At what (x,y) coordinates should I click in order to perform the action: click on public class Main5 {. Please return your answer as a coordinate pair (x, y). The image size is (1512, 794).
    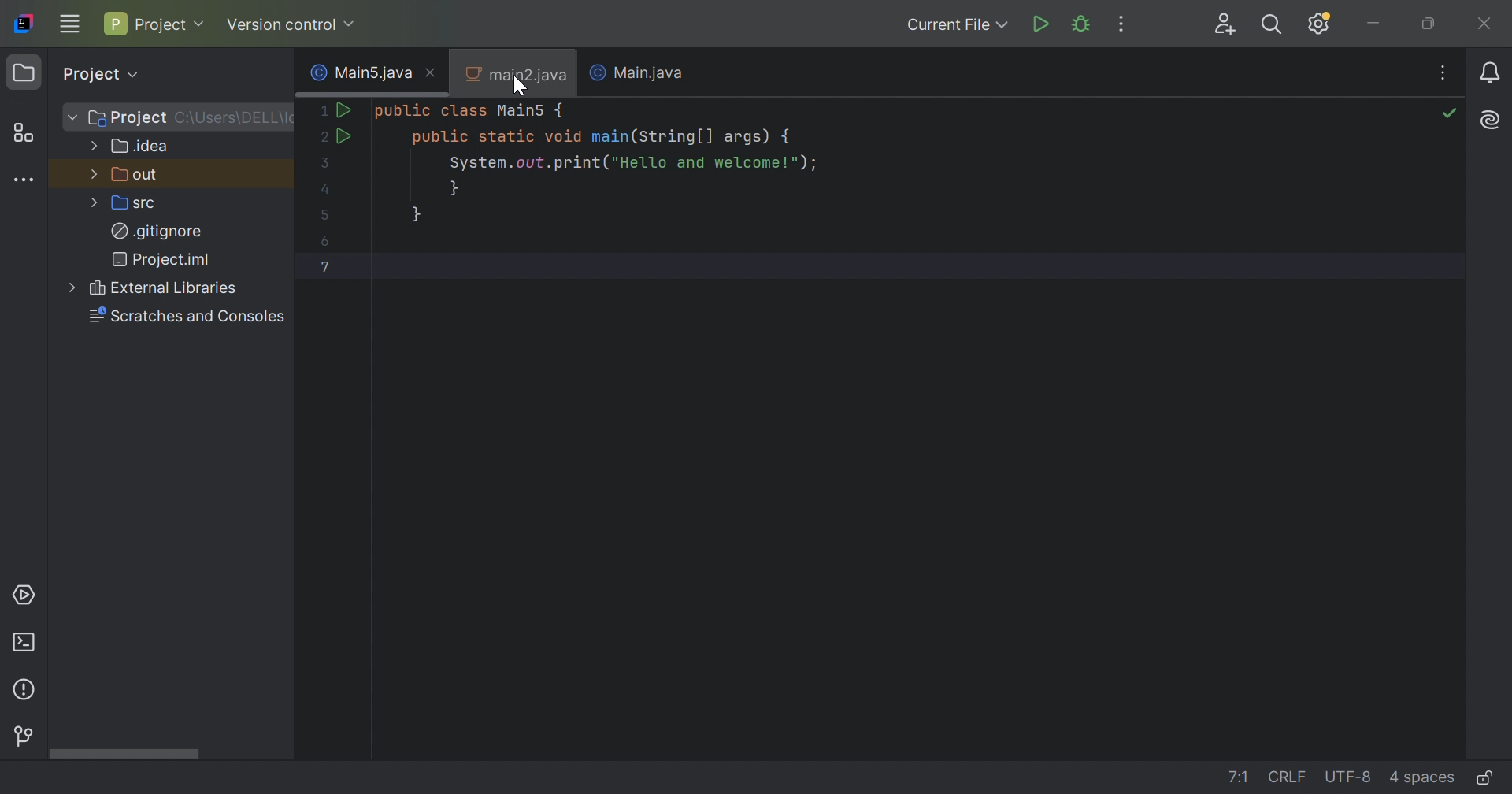
    Looking at the image, I should click on (472, 111).